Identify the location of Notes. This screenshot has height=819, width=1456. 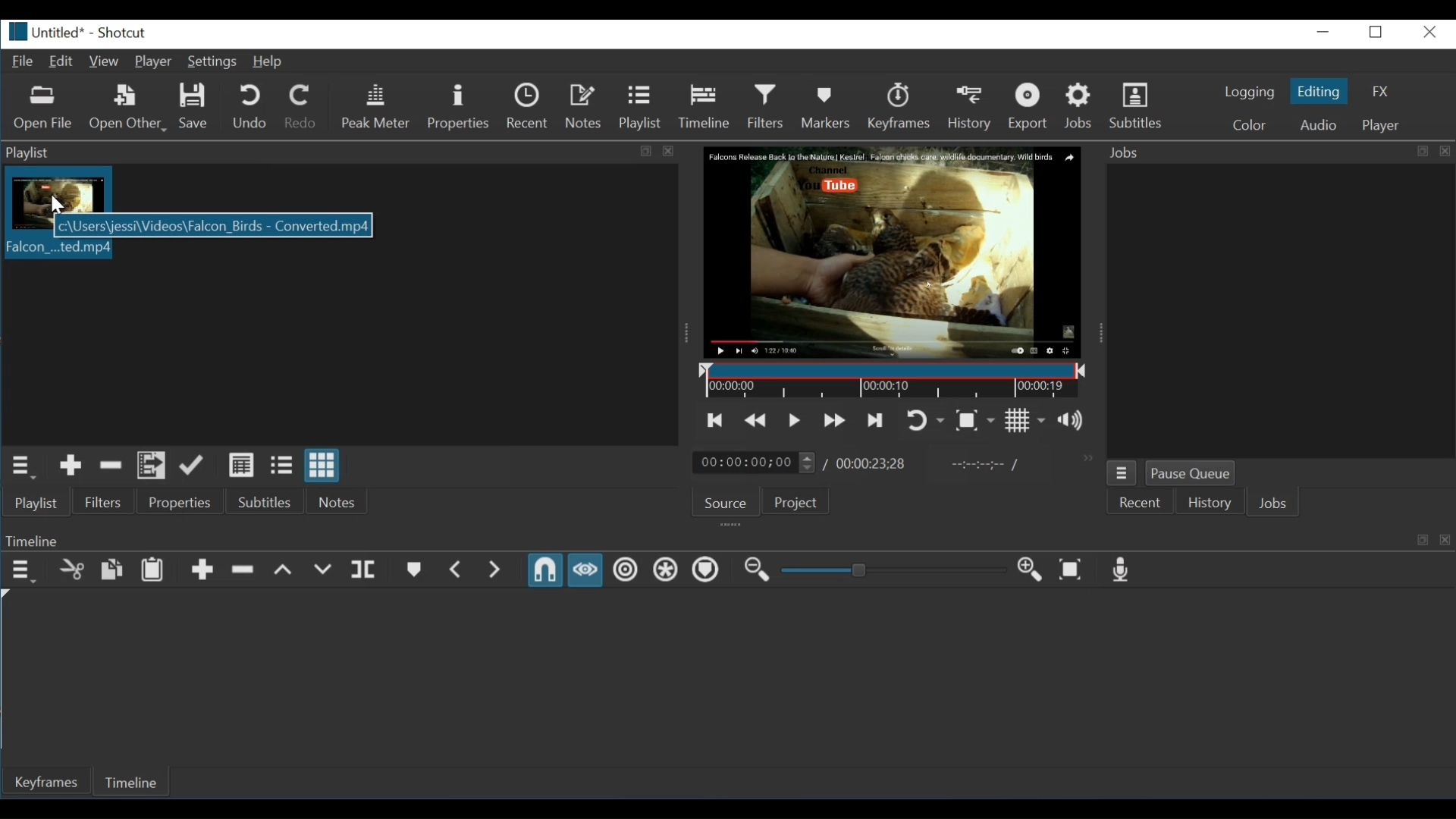
(338, 500).